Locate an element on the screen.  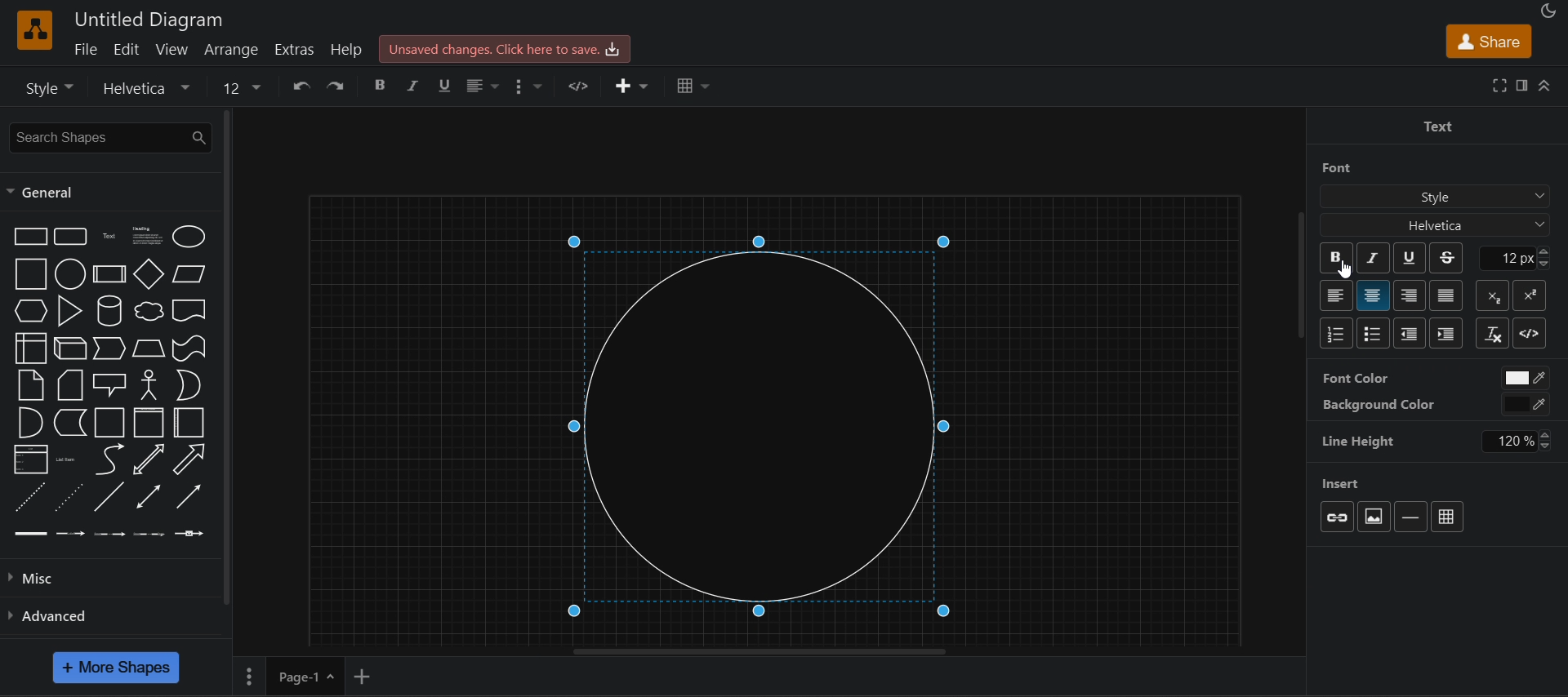
dashed line is located at coordinates (26, 499).